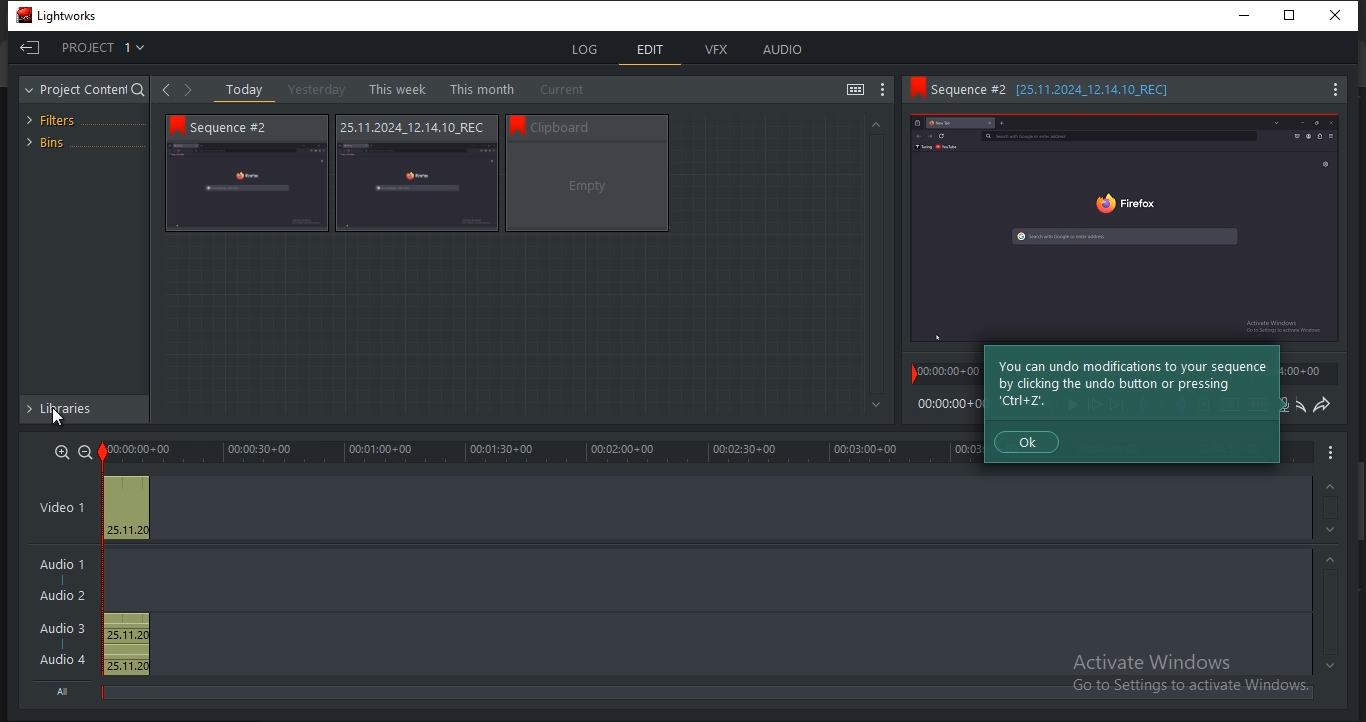  What do you see at coordinates (83, 89) in the screenshot?
I see `project content` at bounding box center [83, 89].